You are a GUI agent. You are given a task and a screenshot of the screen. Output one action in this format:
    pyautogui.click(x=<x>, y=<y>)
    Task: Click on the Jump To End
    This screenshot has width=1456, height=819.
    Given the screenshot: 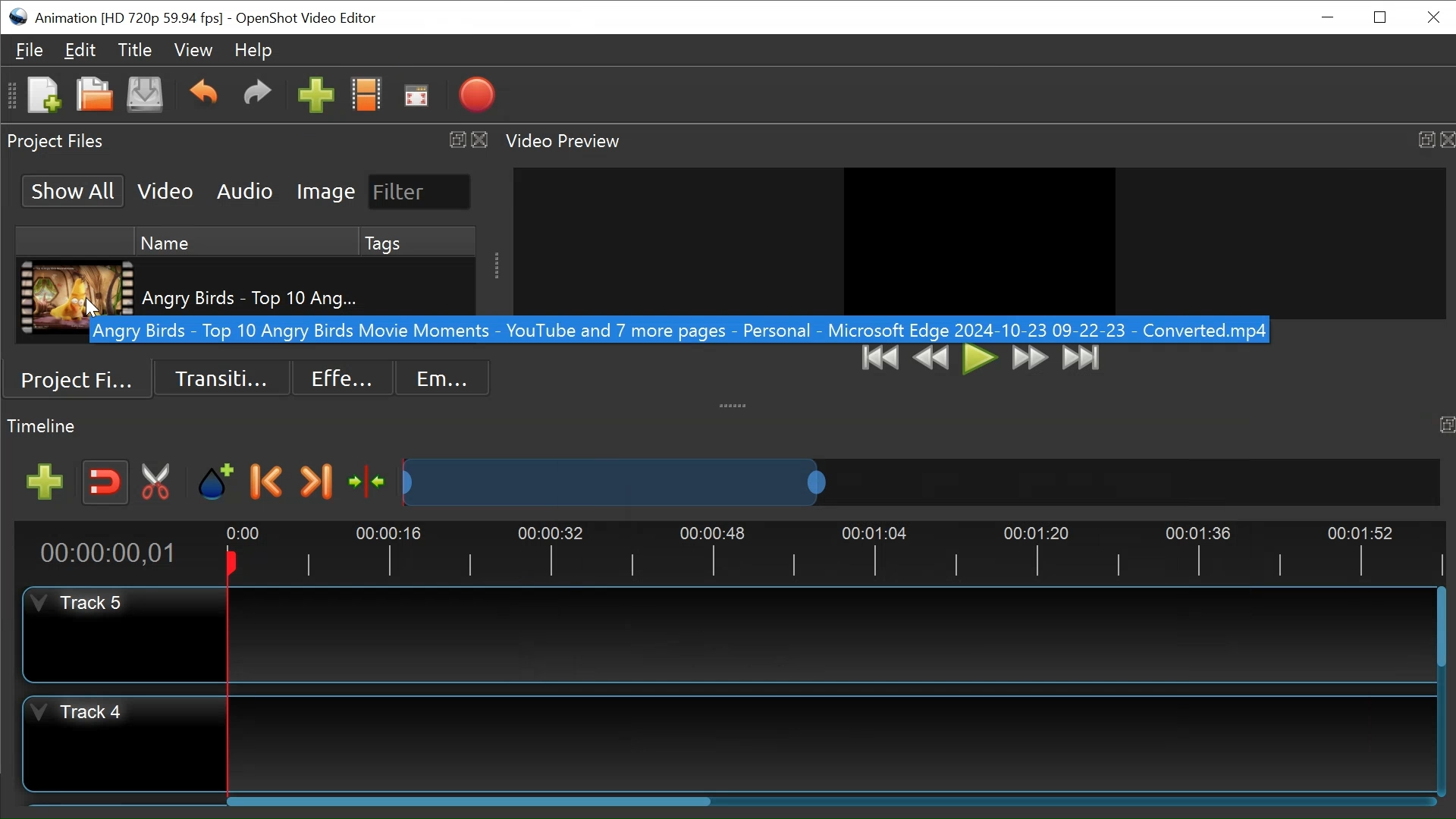 What is the action you would take?
    pyautogui.click(x=1081, y=359)
    